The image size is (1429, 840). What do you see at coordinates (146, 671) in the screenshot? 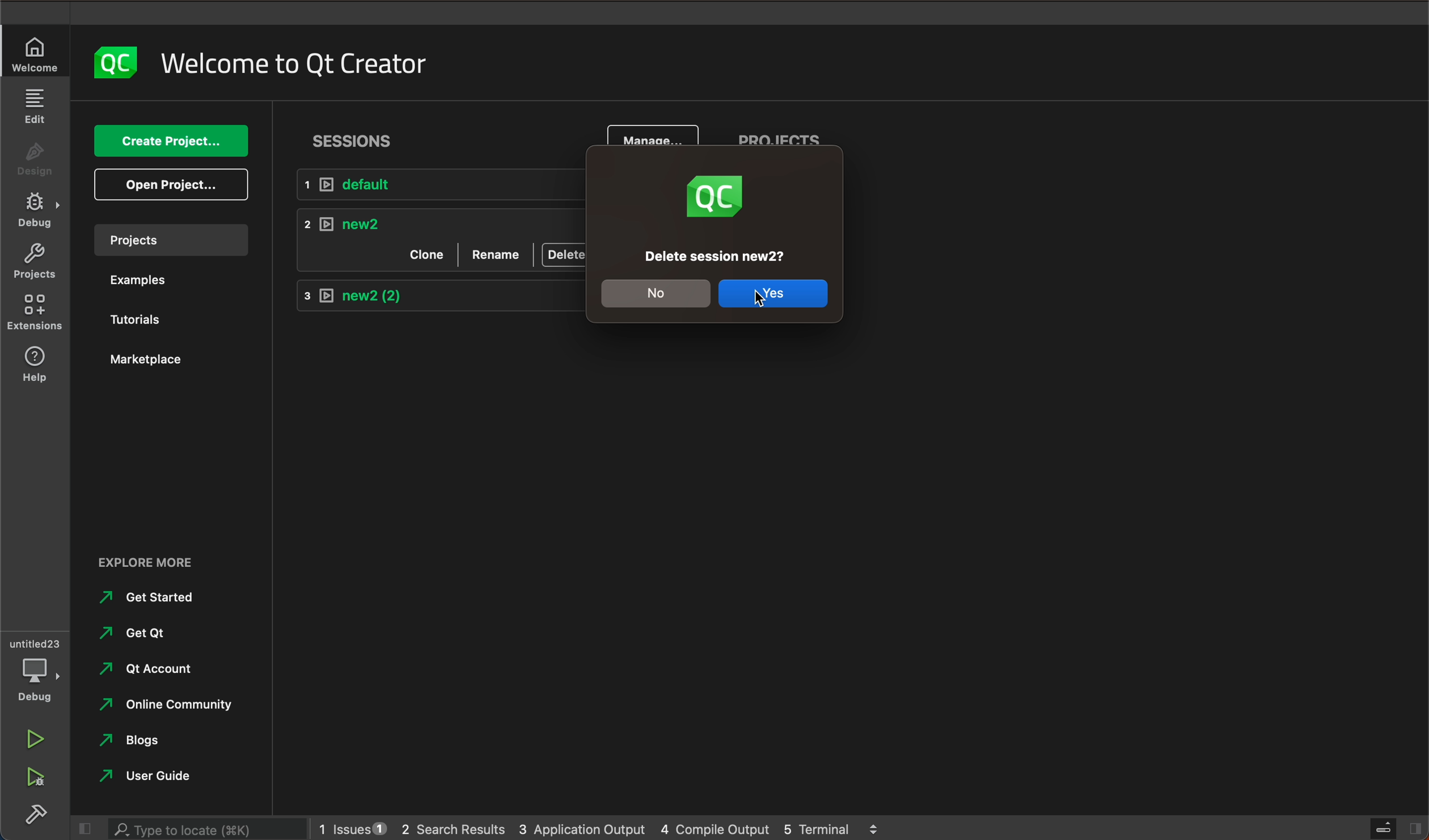
I see `qt account` at bounding box center [146, 671].